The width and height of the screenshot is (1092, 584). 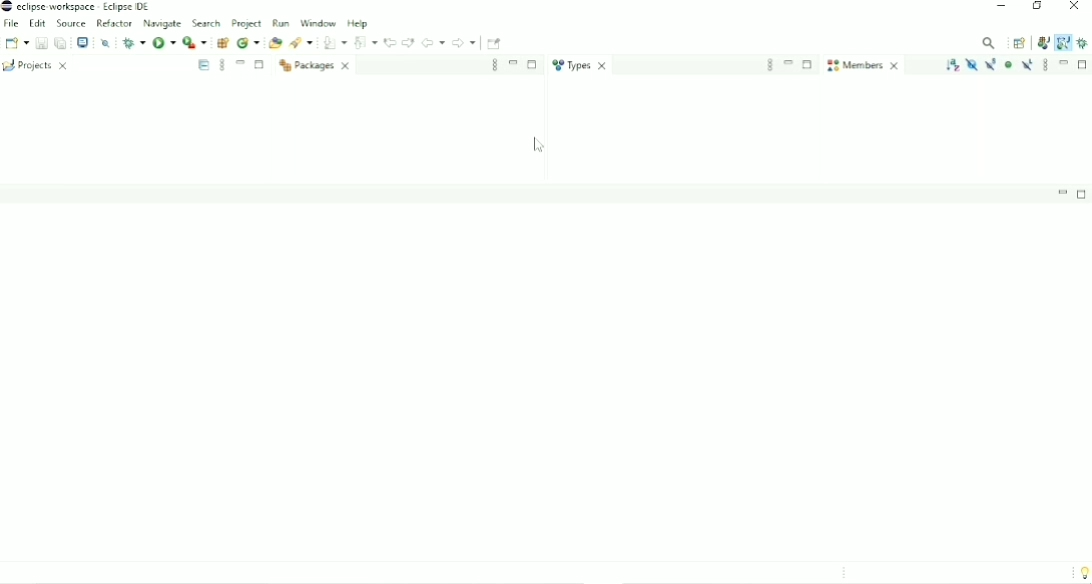 I want to click on Pin Editor, so click(x=495, y=43).